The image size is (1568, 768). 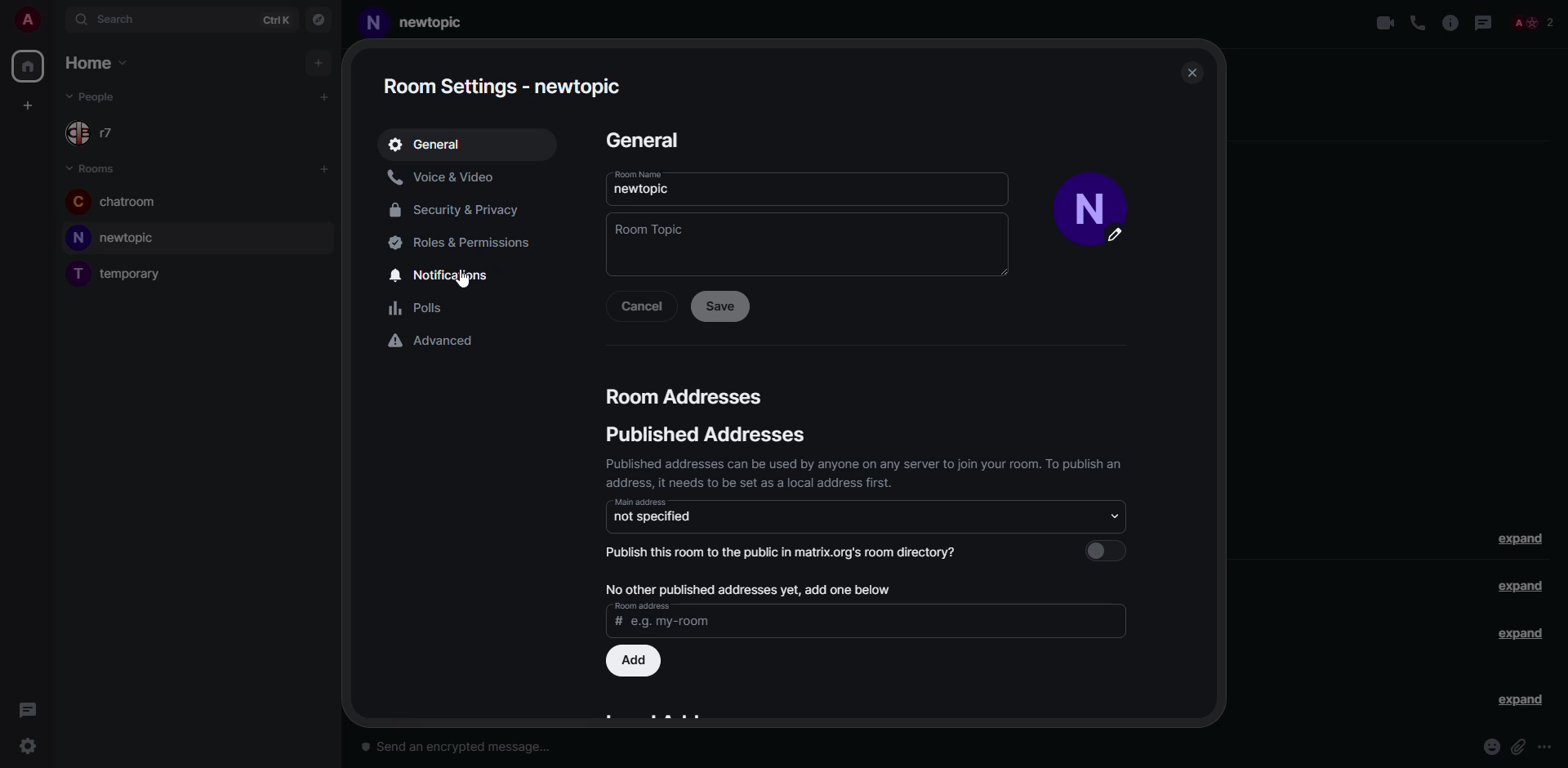 What do you see at coordinates (99, 135) in the screenshot?
I see `r7` at bounding box center [99, 135].